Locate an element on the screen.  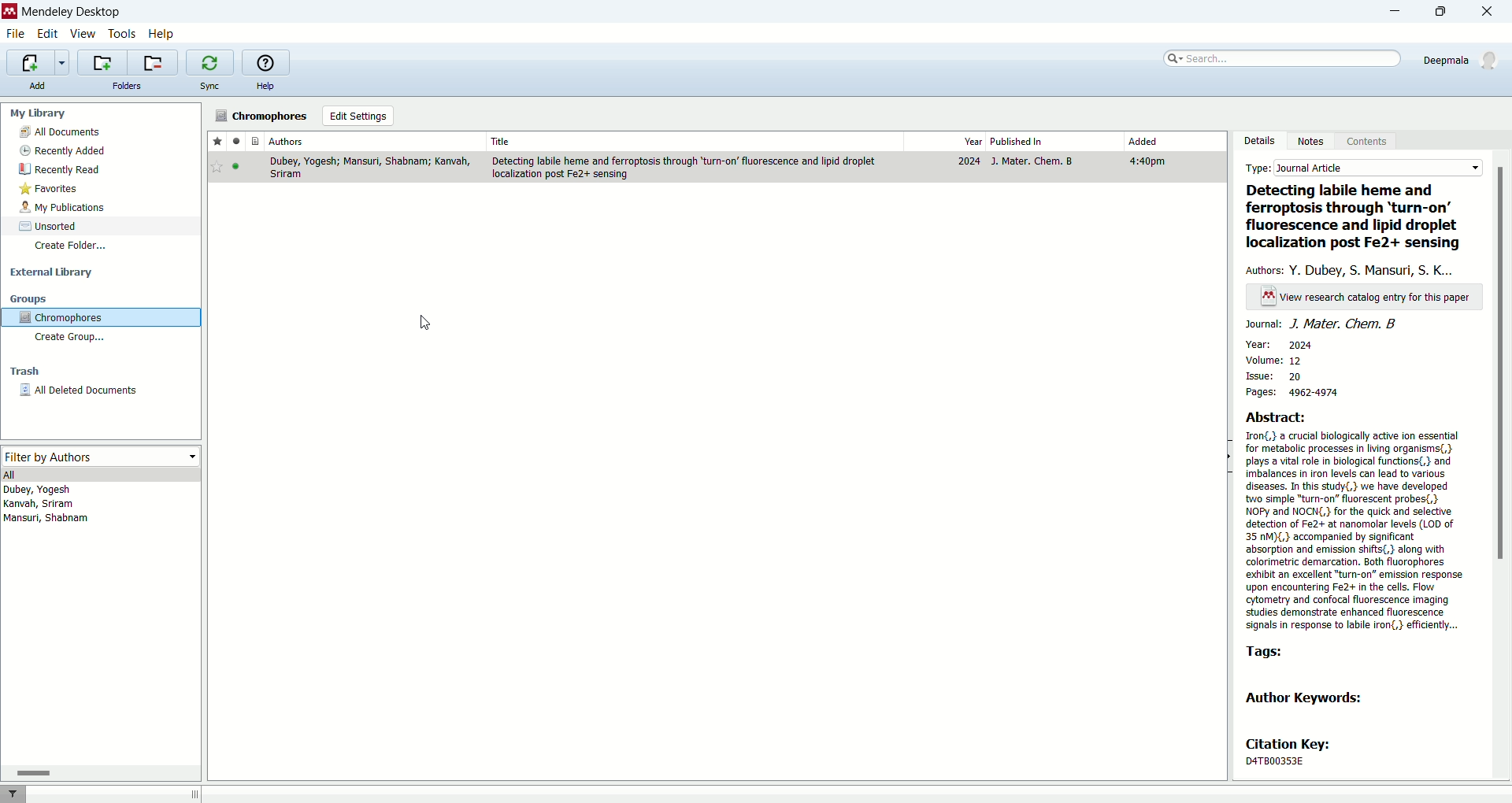
tools is located at coordinates (122, 33).